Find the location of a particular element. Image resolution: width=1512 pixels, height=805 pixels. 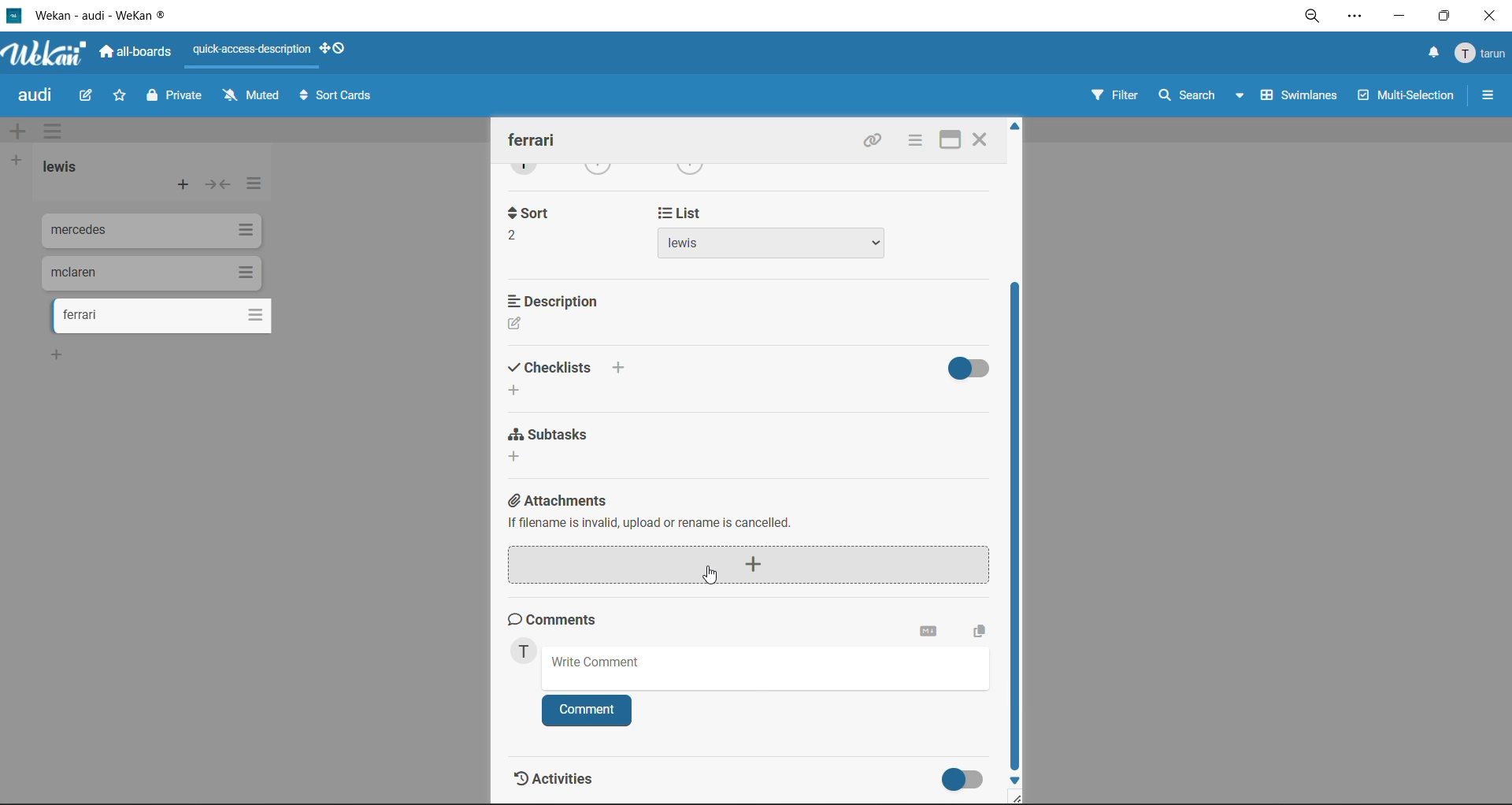

list actions is located at coordinates (258, 187).